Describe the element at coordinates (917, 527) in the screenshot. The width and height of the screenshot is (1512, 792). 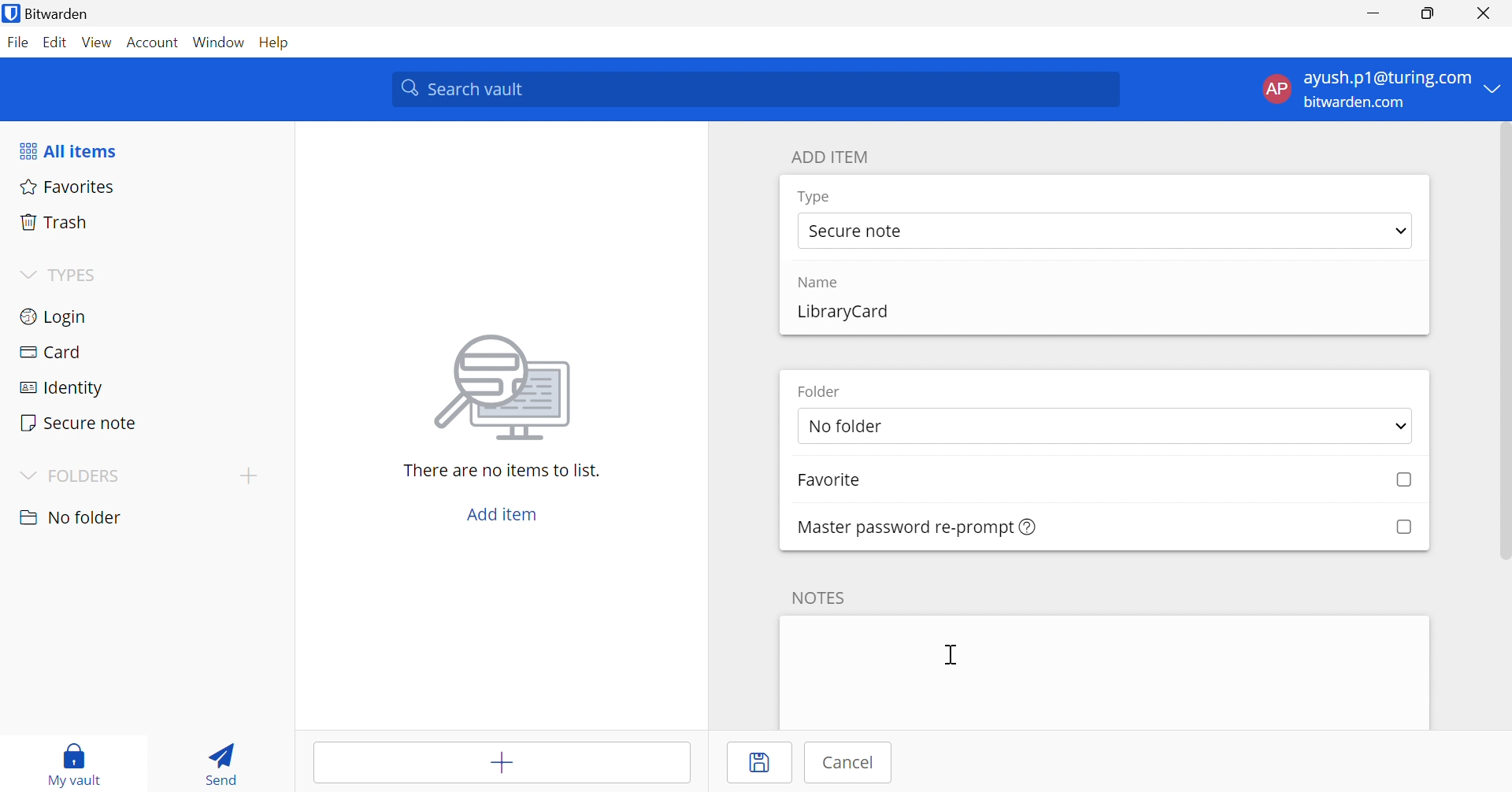
I see `Master password re-prompt` at that location.